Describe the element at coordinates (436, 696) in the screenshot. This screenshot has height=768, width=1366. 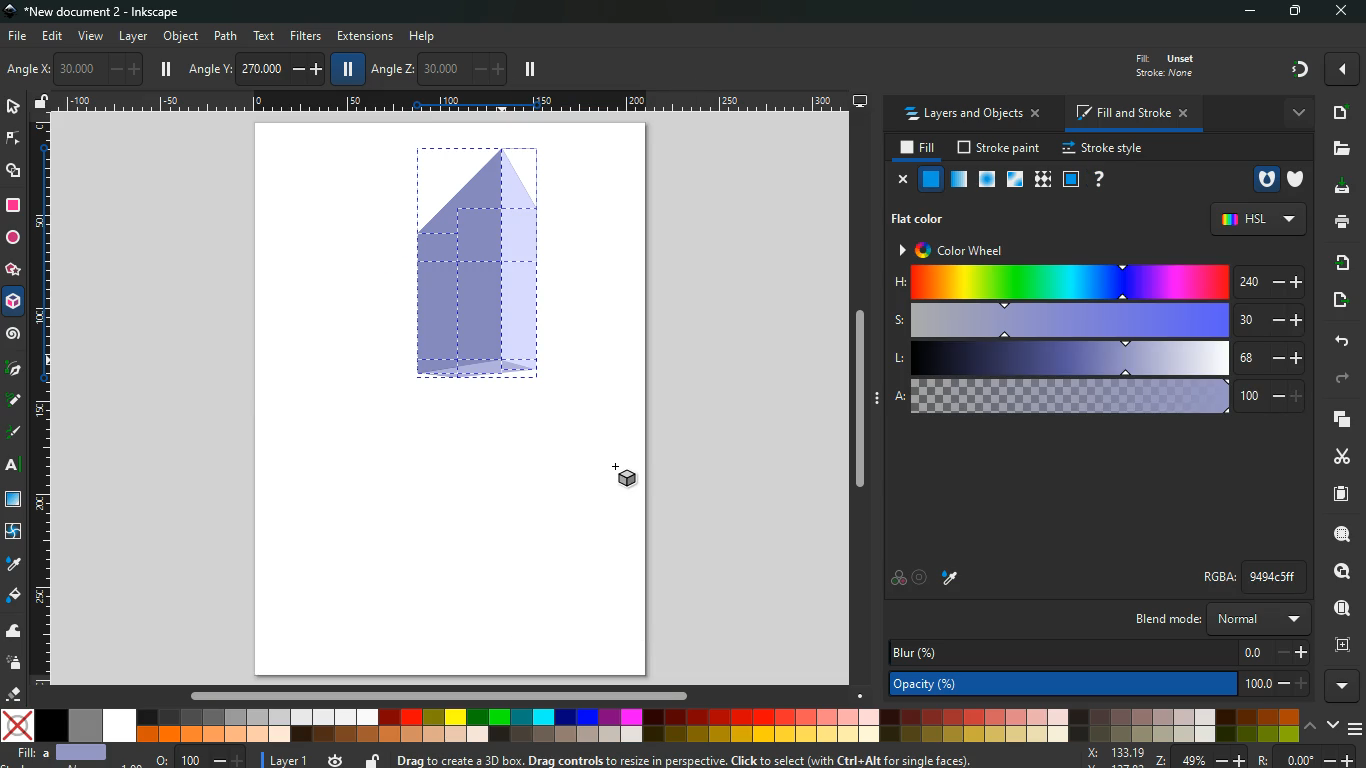
I see `Scroll bar` at that location.